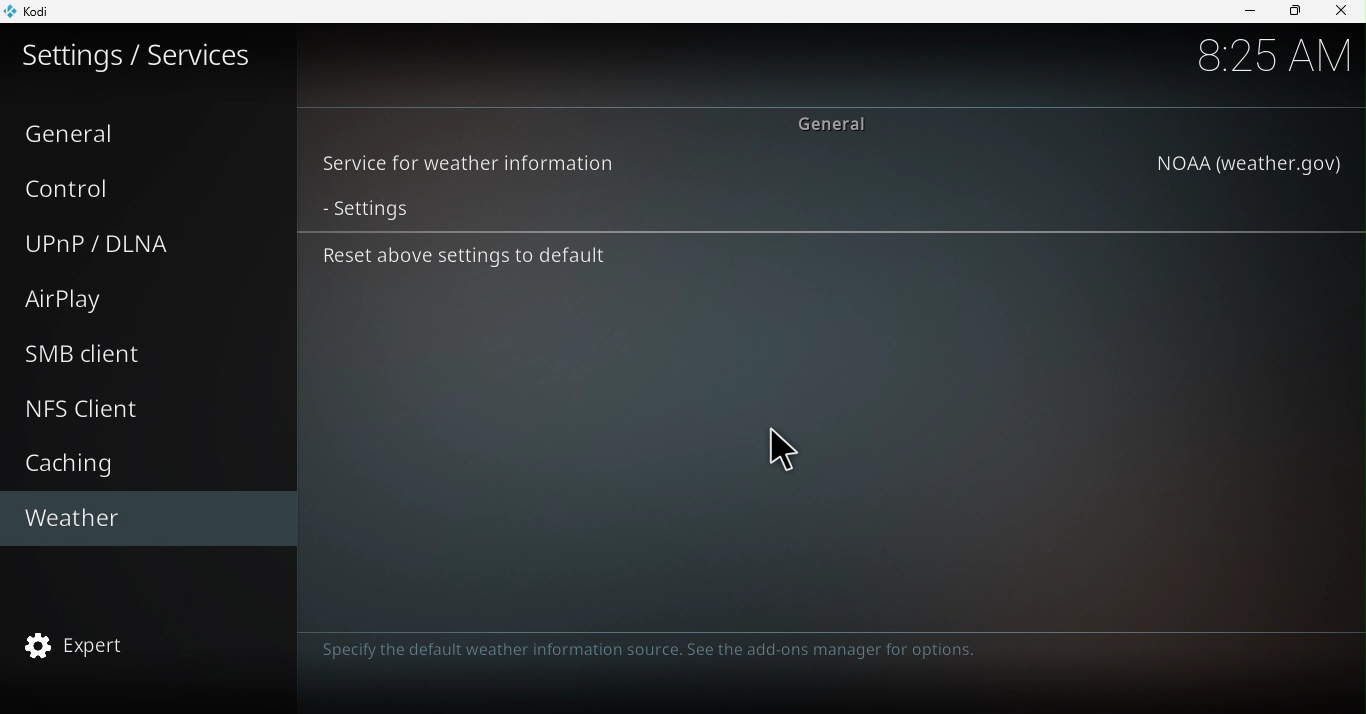  Describe the element at coordinates (1295, 9) in the screenshot. I see `Maximize` at that location.